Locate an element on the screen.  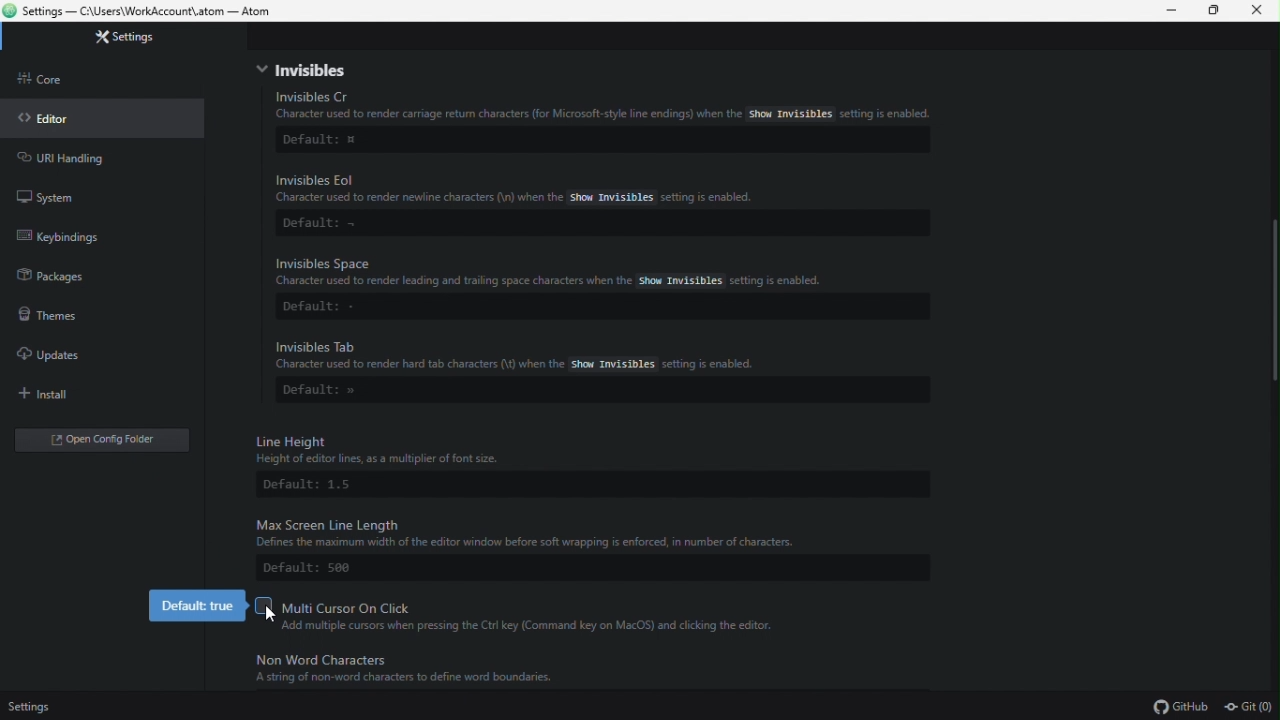
cursor is located at coordinates (267, 616).